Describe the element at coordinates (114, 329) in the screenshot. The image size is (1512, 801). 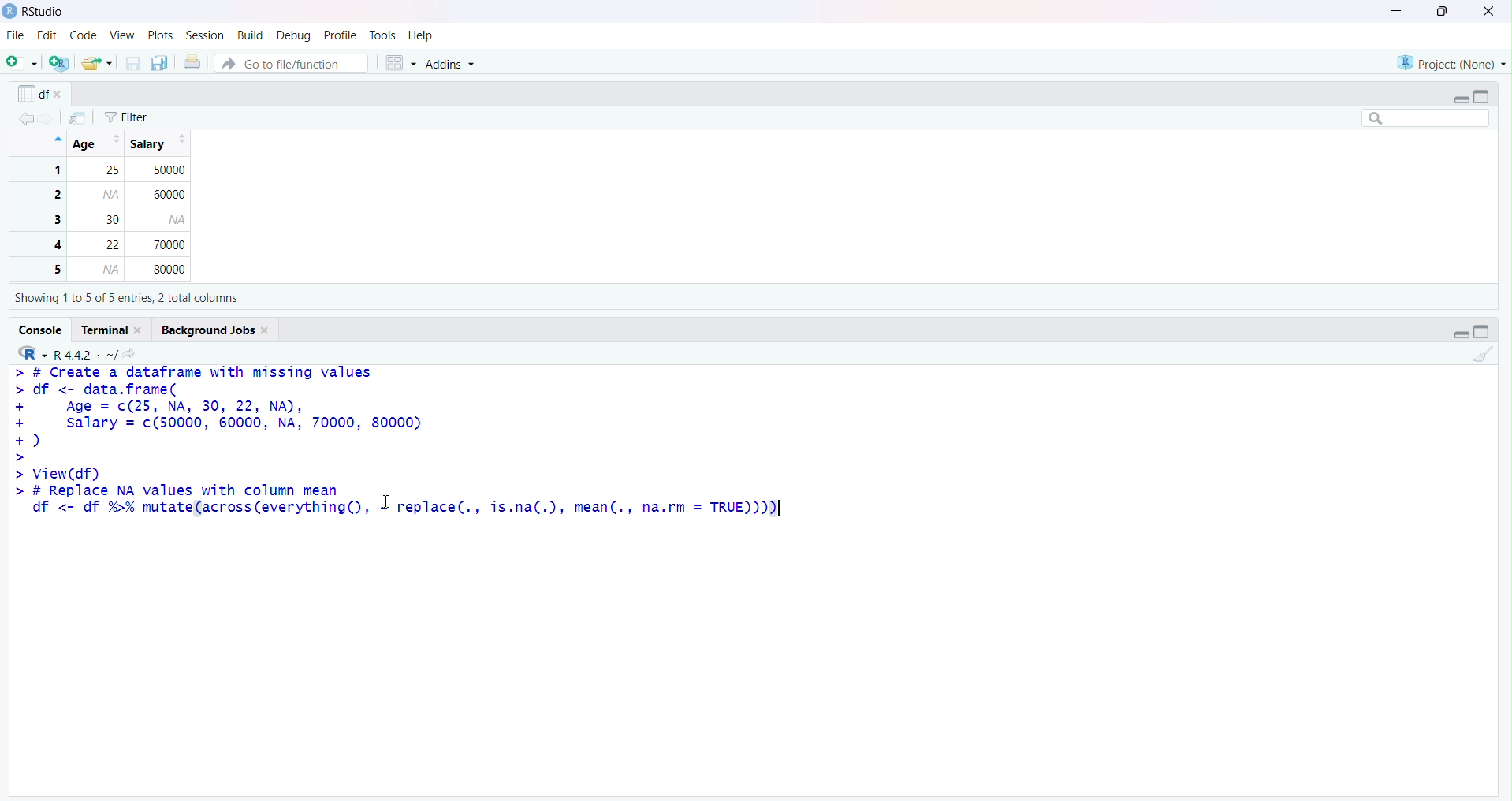
I see `Terminal` at that location.